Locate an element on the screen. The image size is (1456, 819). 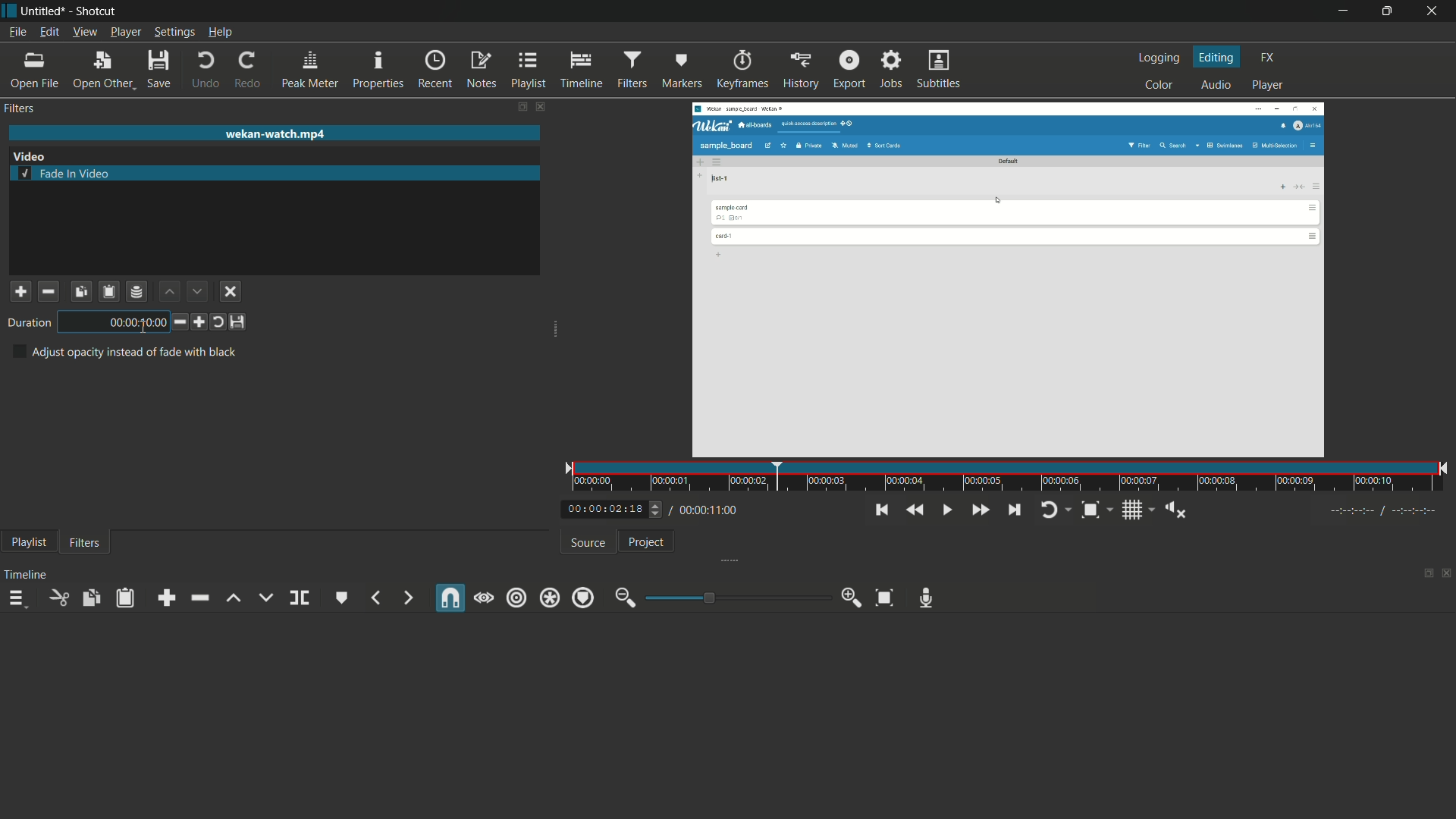
set as default is located at coordinates (239, 322).